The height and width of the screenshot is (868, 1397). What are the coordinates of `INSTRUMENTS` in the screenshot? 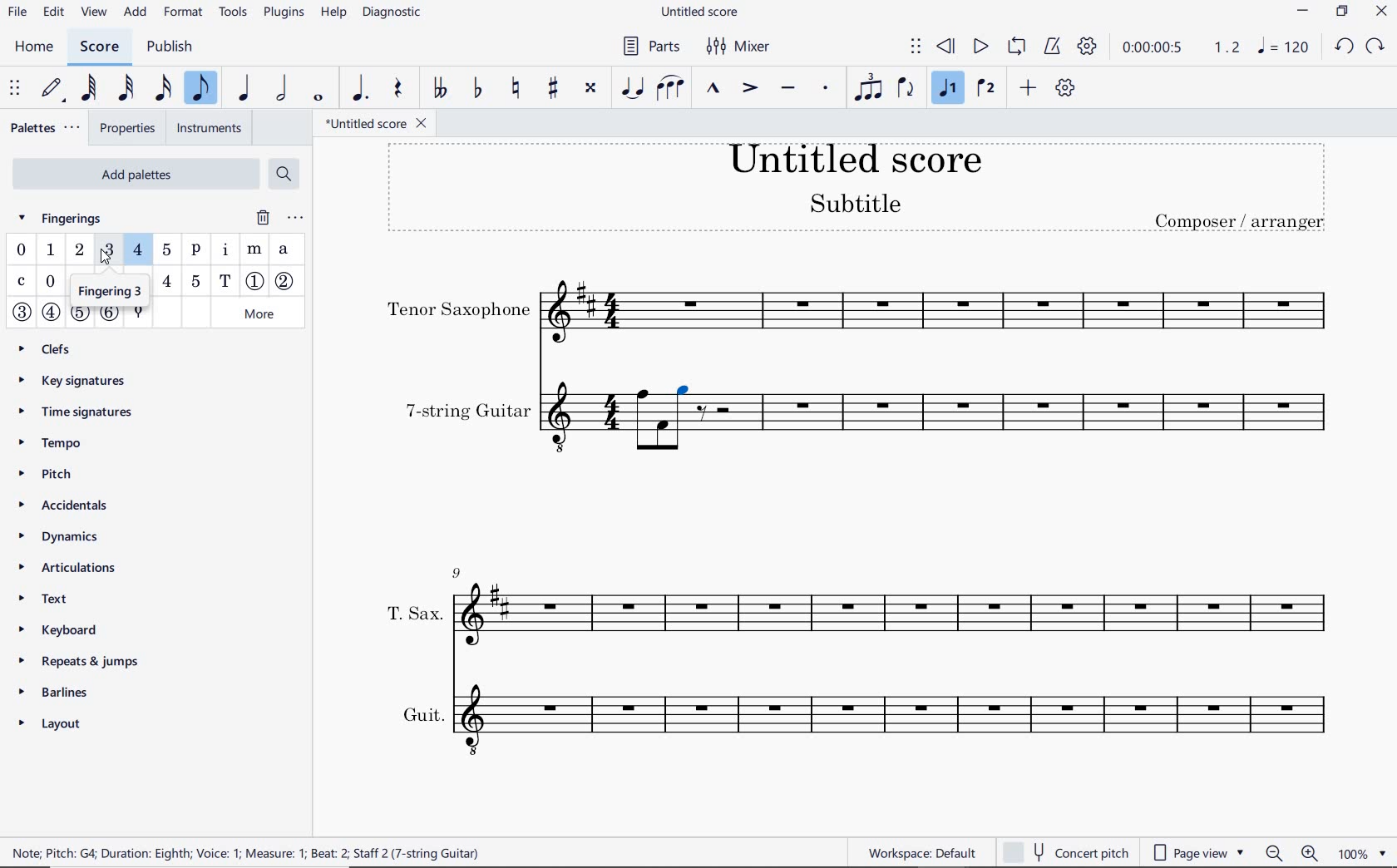 It's located at (209, 127).